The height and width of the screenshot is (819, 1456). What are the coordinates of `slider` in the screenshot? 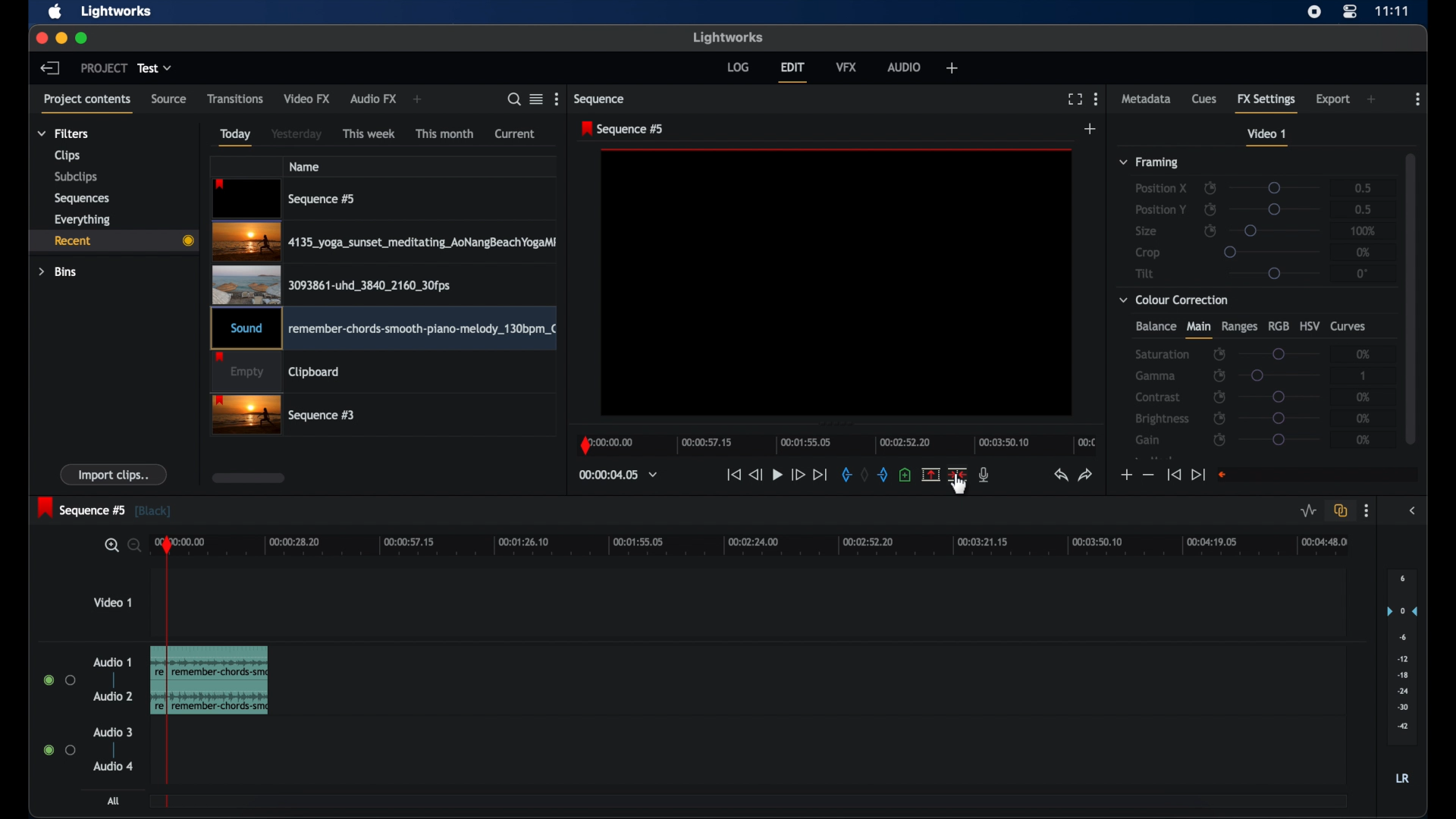 It's located at (1276, 188).